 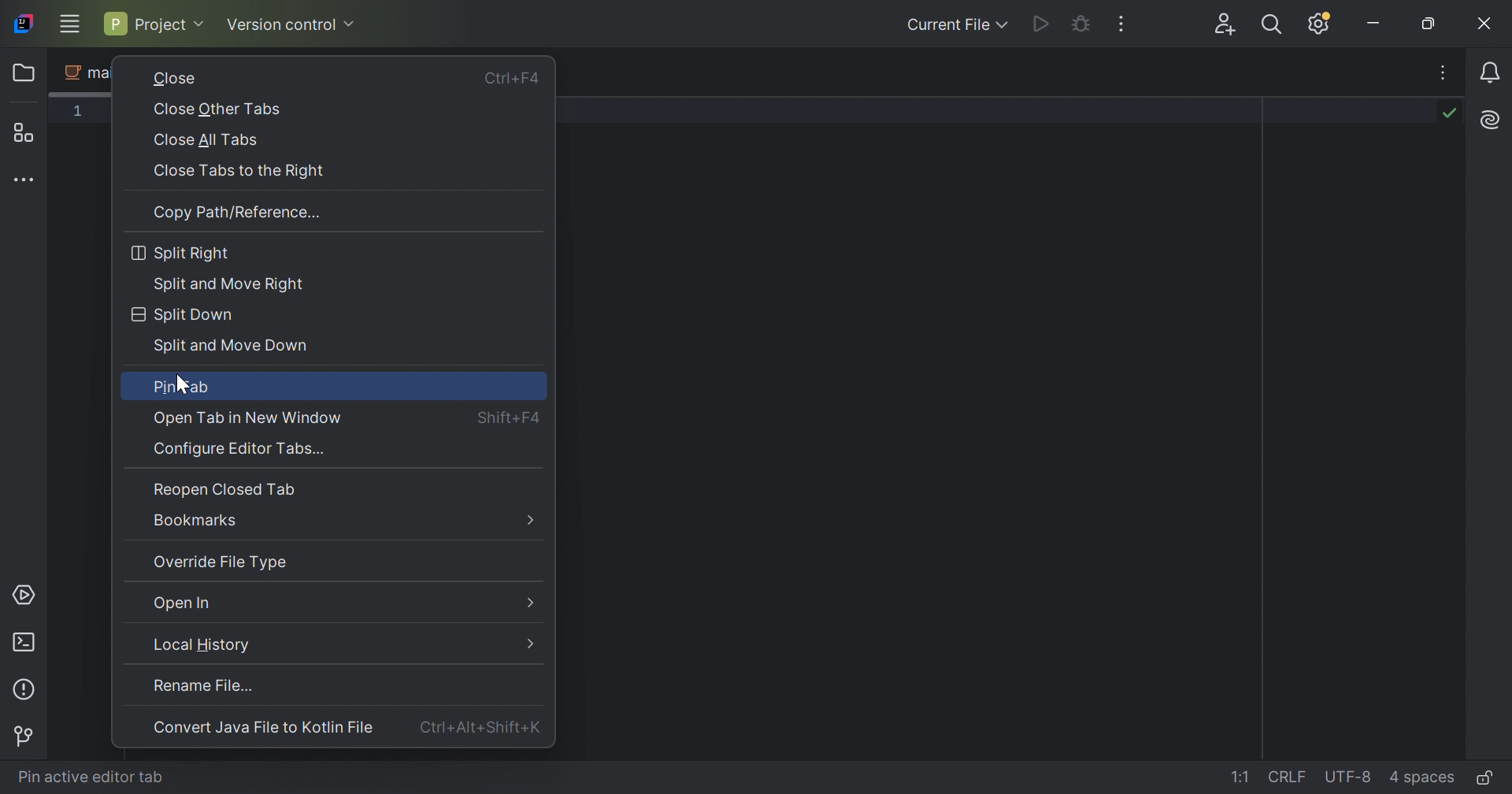 What do you see at coordinates (180, 254) in the screenshot?
I see `Split Right` at bounding box center [180, 254].